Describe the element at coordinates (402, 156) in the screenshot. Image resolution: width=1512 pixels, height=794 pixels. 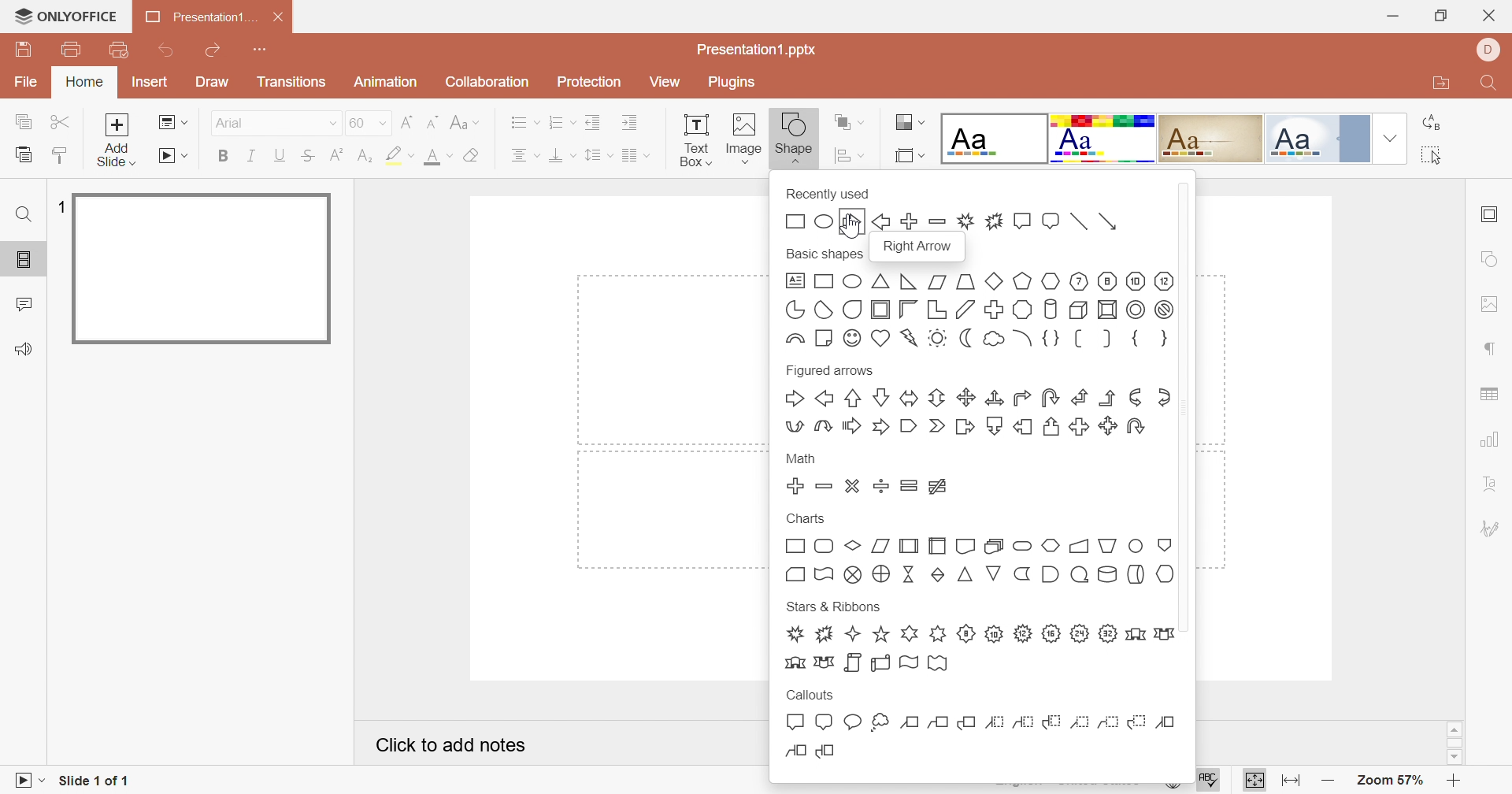
I see `Highlight color` at that location.